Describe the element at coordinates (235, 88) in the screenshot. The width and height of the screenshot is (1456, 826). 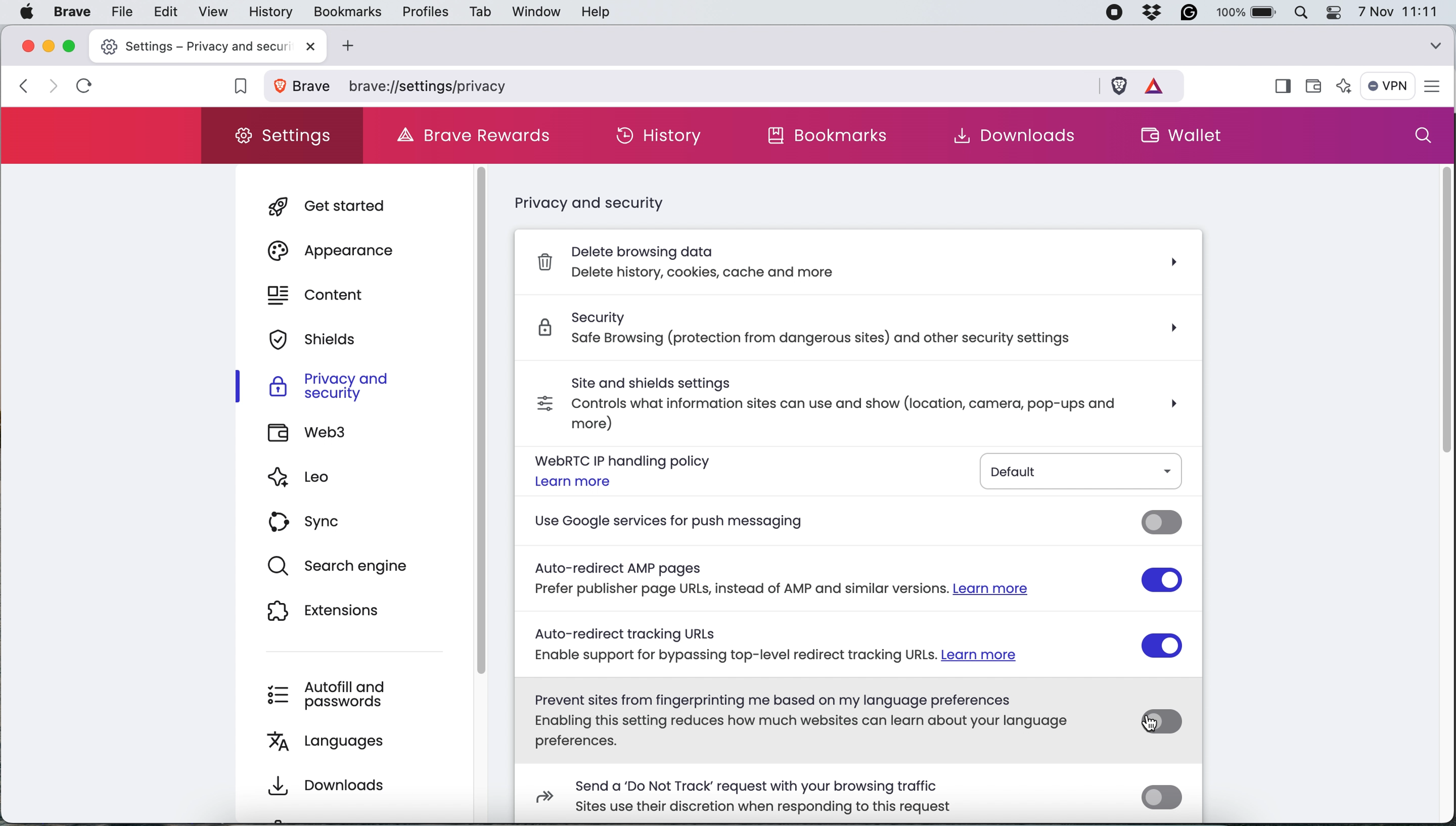
I see `bookmark` at that location.